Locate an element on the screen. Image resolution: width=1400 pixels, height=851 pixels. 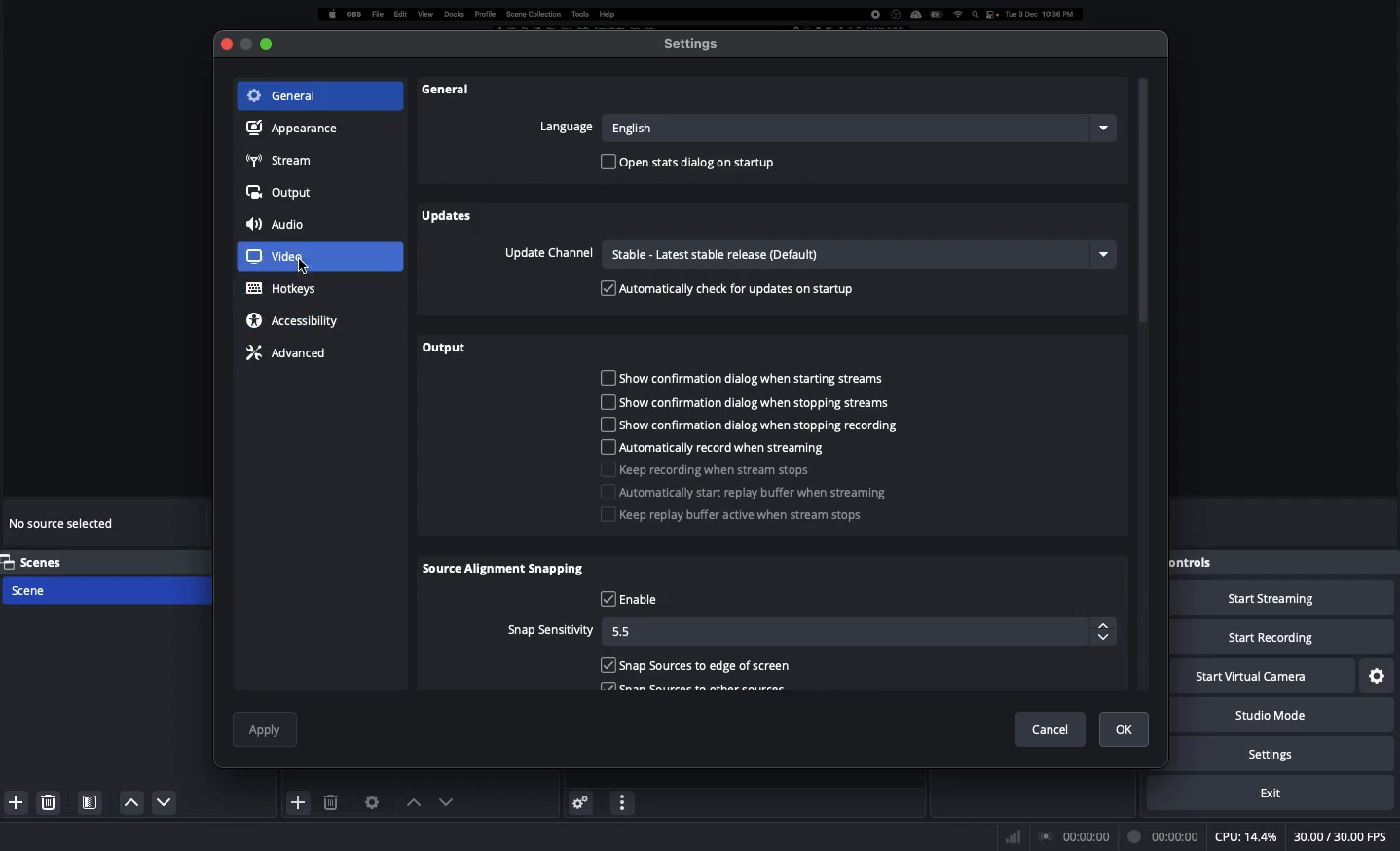
Accessibility  is located at coordinates (298, 320).